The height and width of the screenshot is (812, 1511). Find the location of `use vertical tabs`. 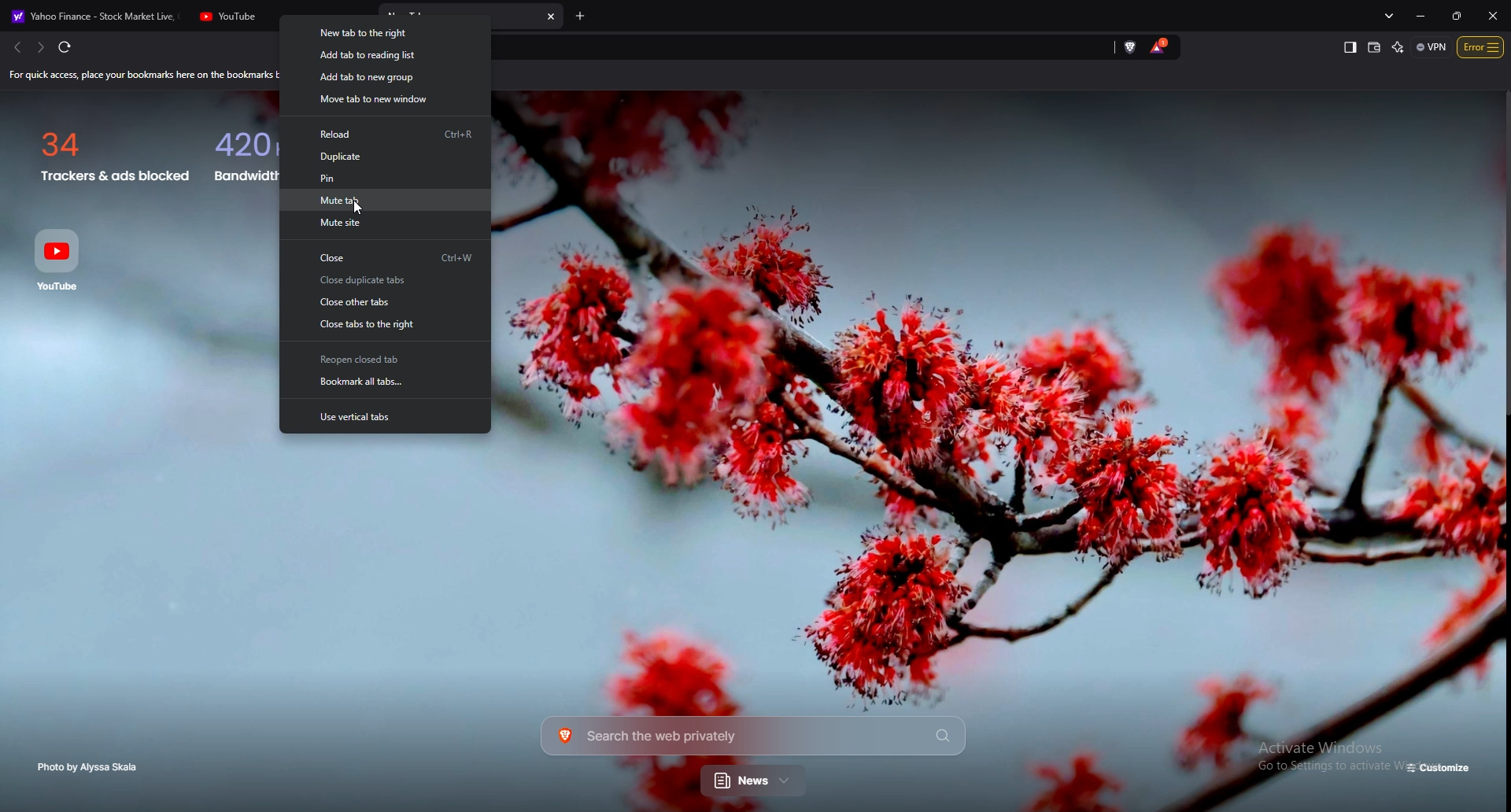

use vertical tabs is located at coordinates (383, 415).